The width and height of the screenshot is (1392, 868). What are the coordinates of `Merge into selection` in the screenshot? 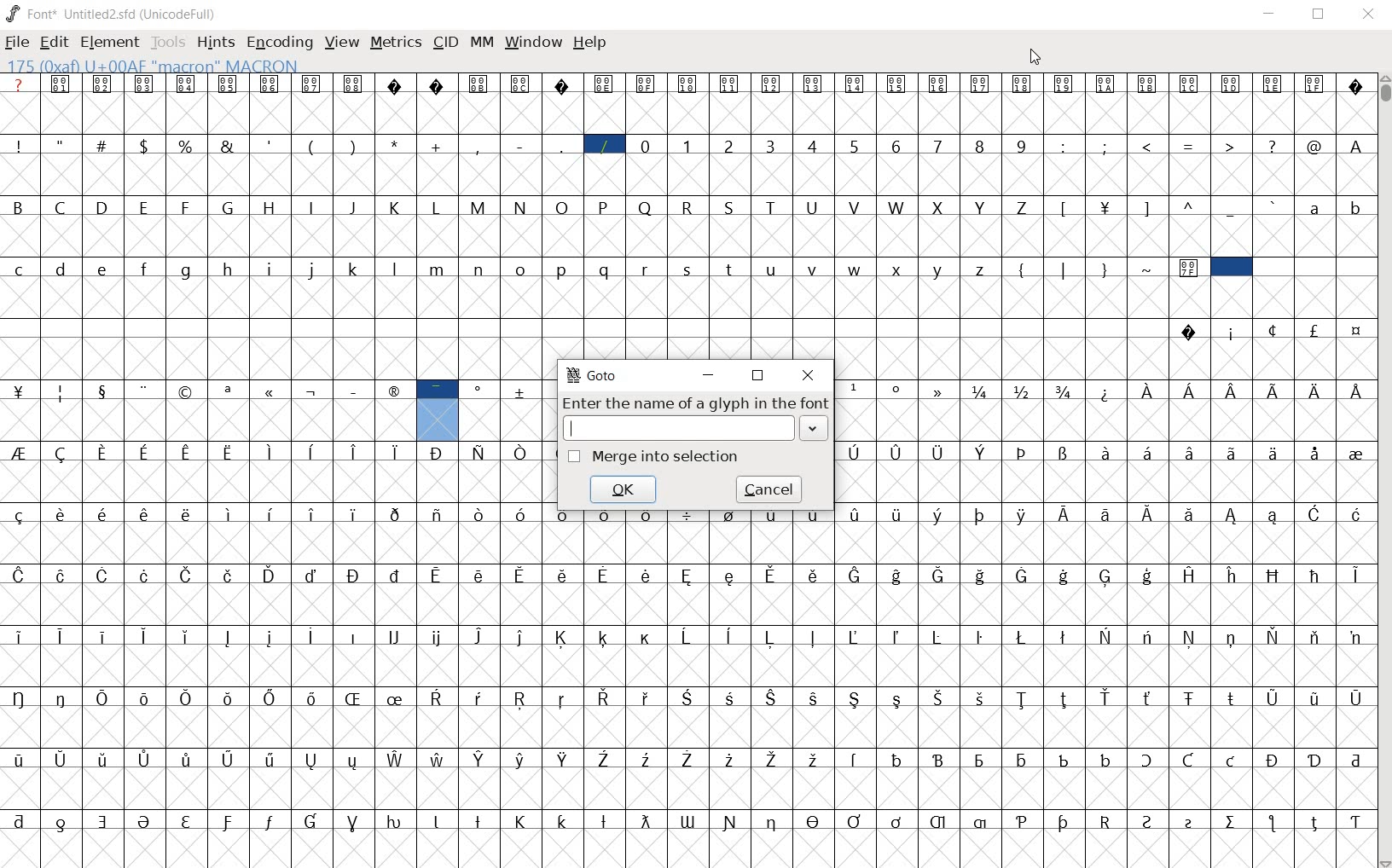 It's located at (656, 457).